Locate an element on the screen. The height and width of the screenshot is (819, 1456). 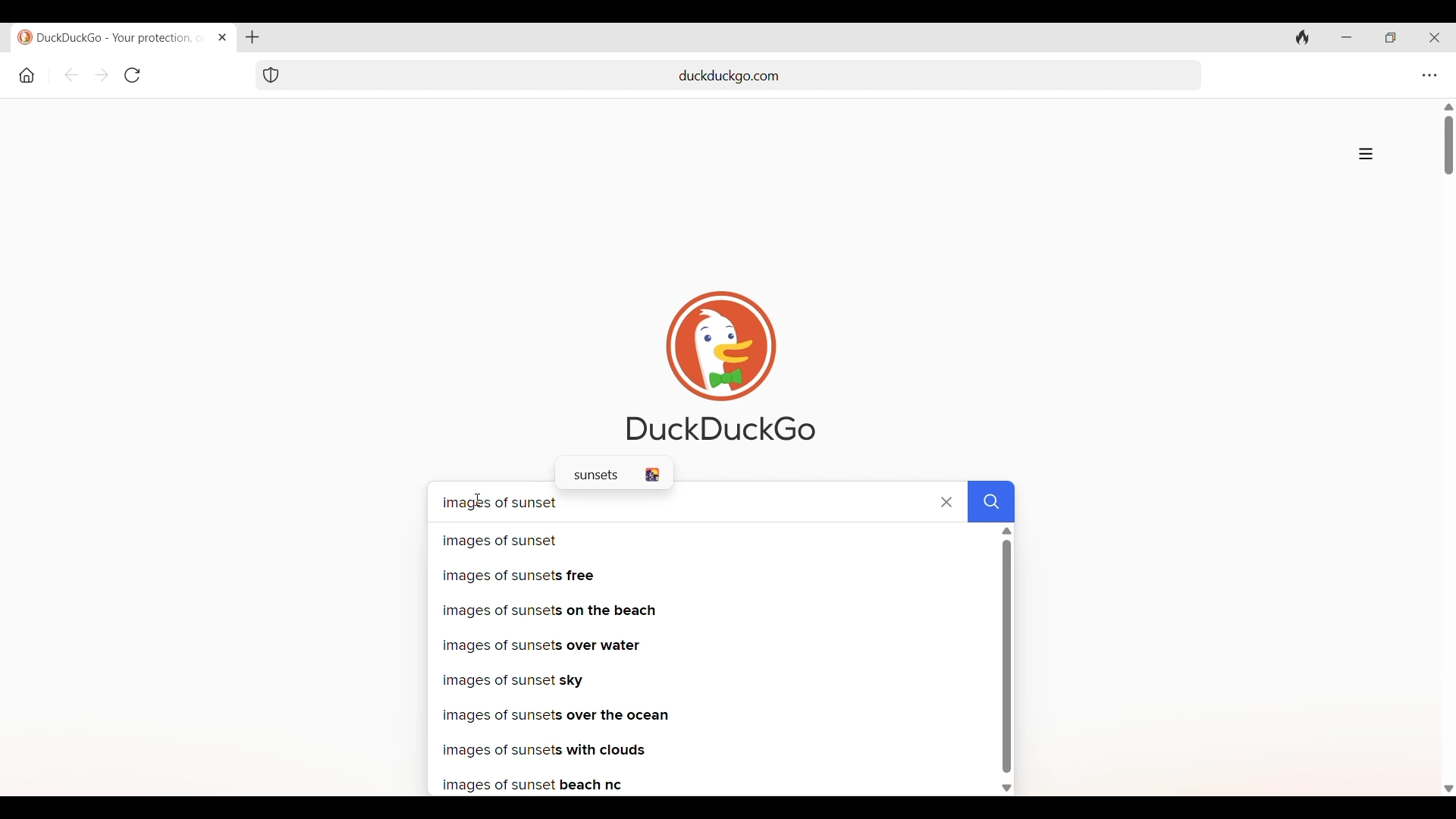
Images of sunsets over water is located at coordinates (711, 645).